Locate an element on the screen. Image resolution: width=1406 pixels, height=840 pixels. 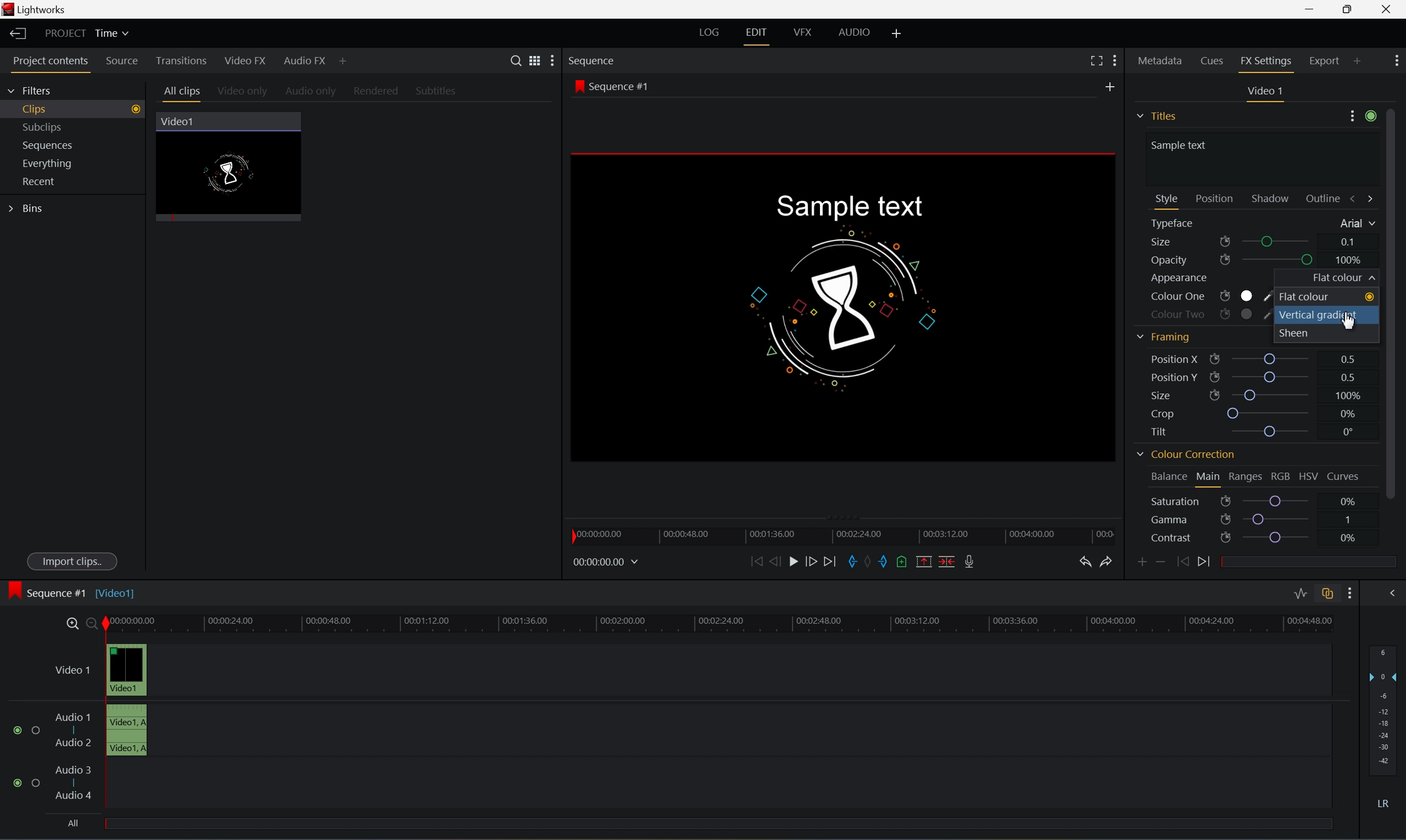
Subtitles is located at coordinates (437, 91).